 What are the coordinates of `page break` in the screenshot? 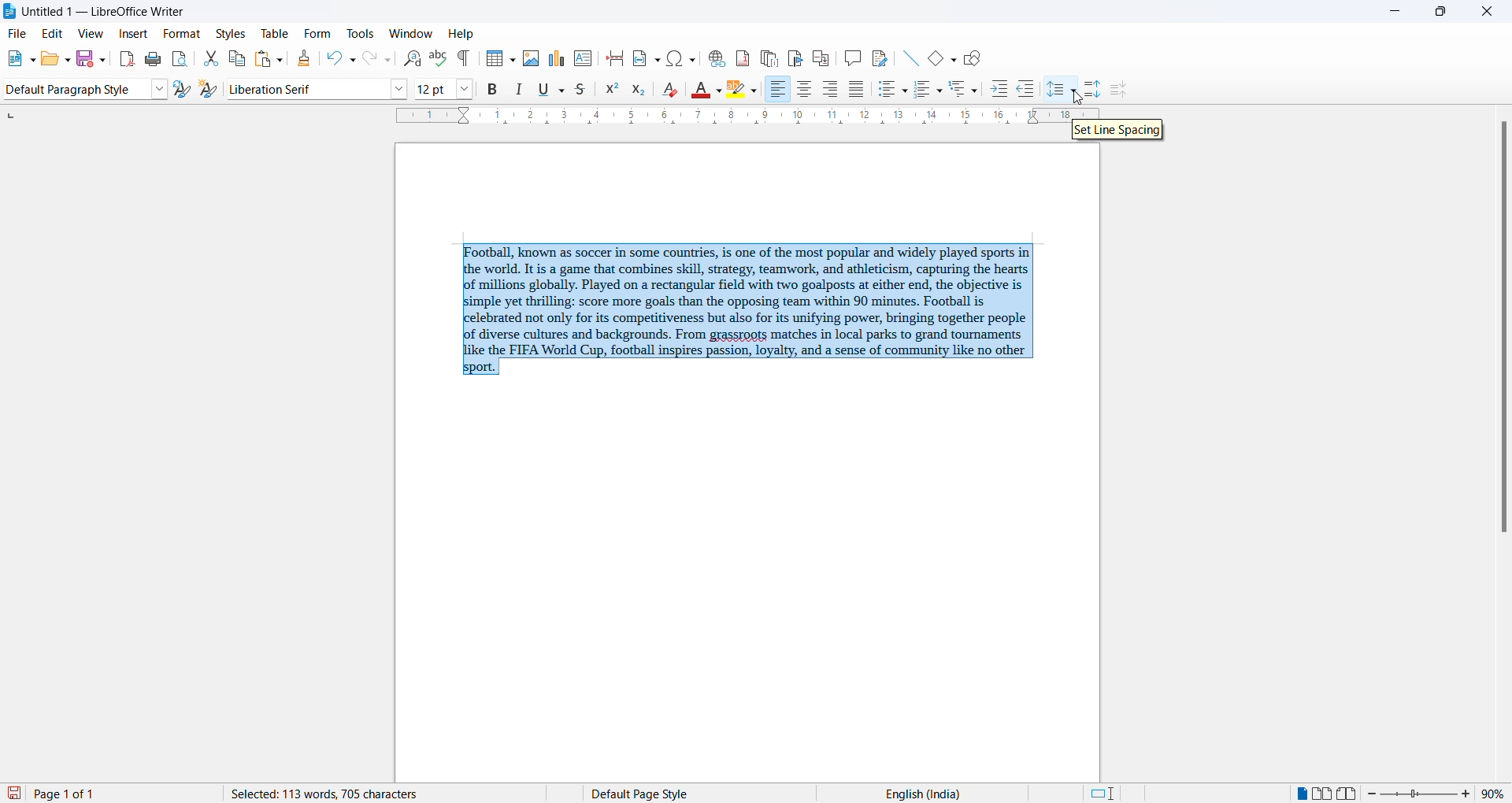 It's located at (615, 58).